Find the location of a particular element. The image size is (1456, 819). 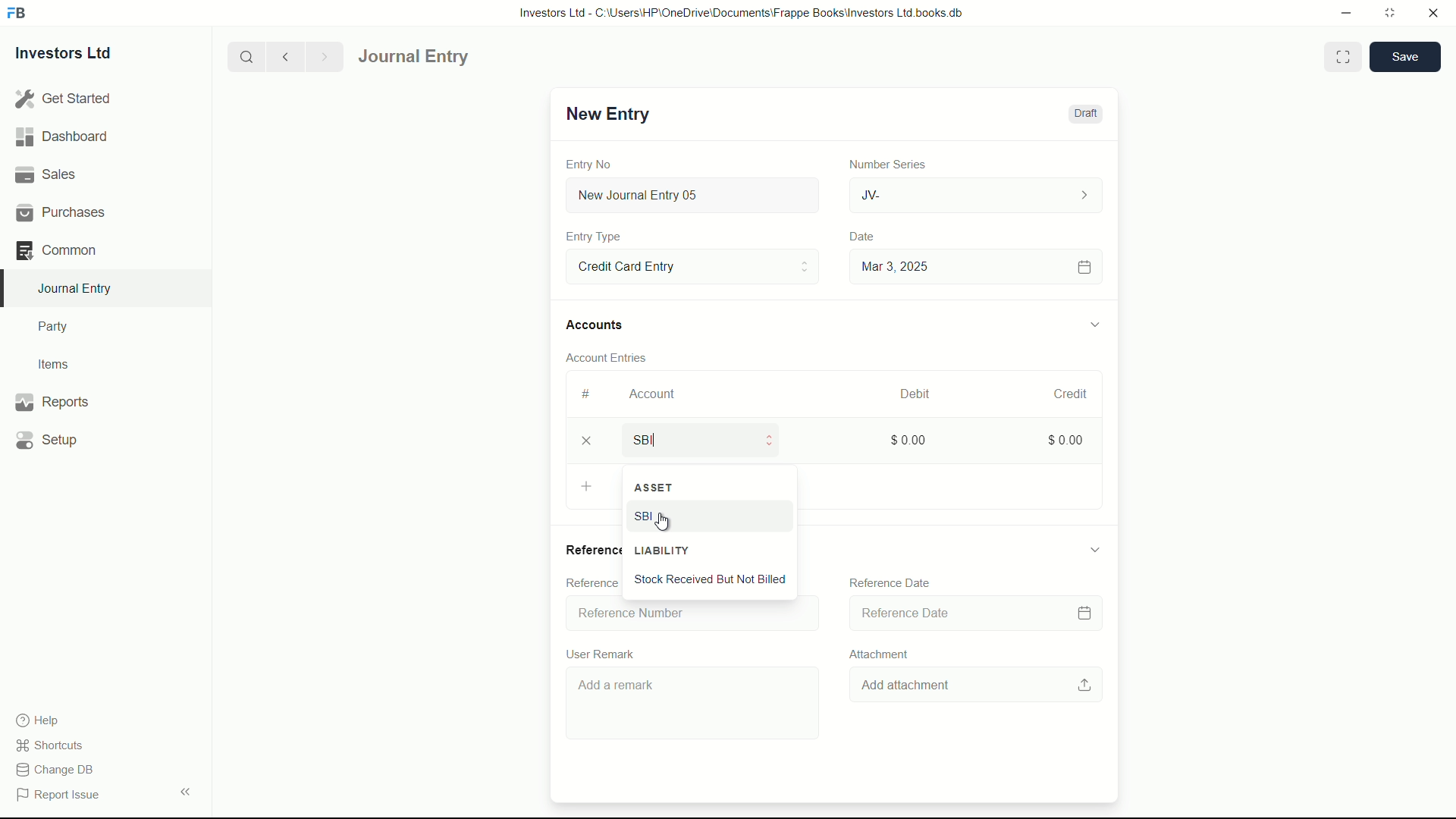

minimize is located at coordinates (1342, 11).